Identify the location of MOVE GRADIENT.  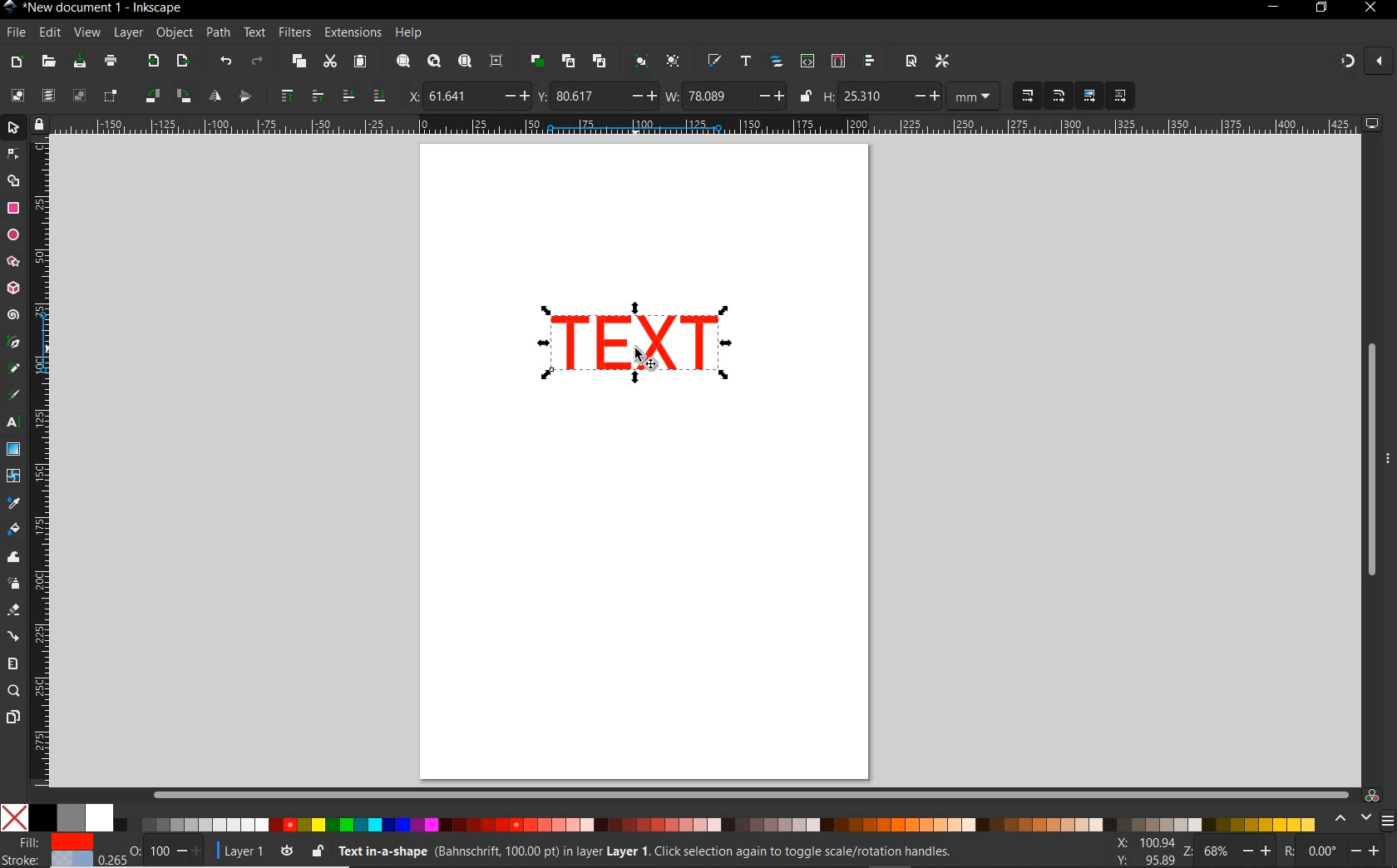
(1090, 96).